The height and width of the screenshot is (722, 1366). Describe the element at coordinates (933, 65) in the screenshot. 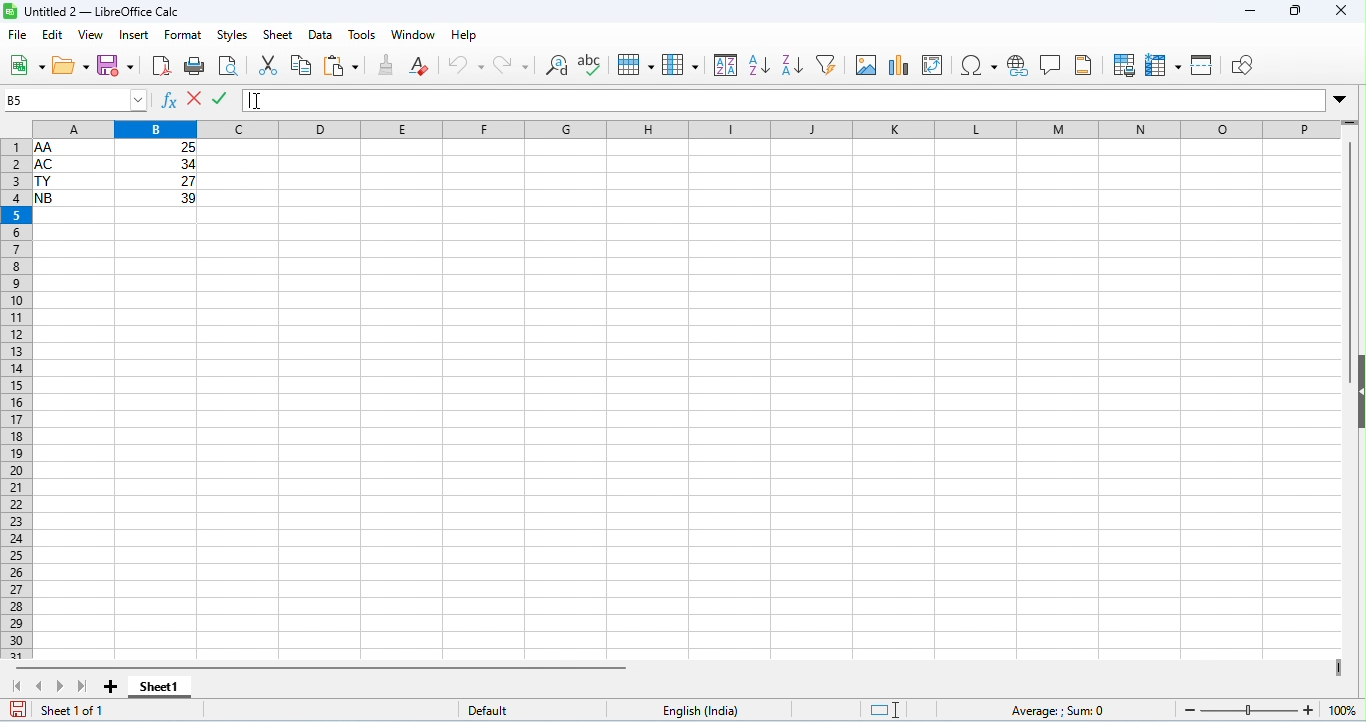

I see `insert / add pivot table` at that location.